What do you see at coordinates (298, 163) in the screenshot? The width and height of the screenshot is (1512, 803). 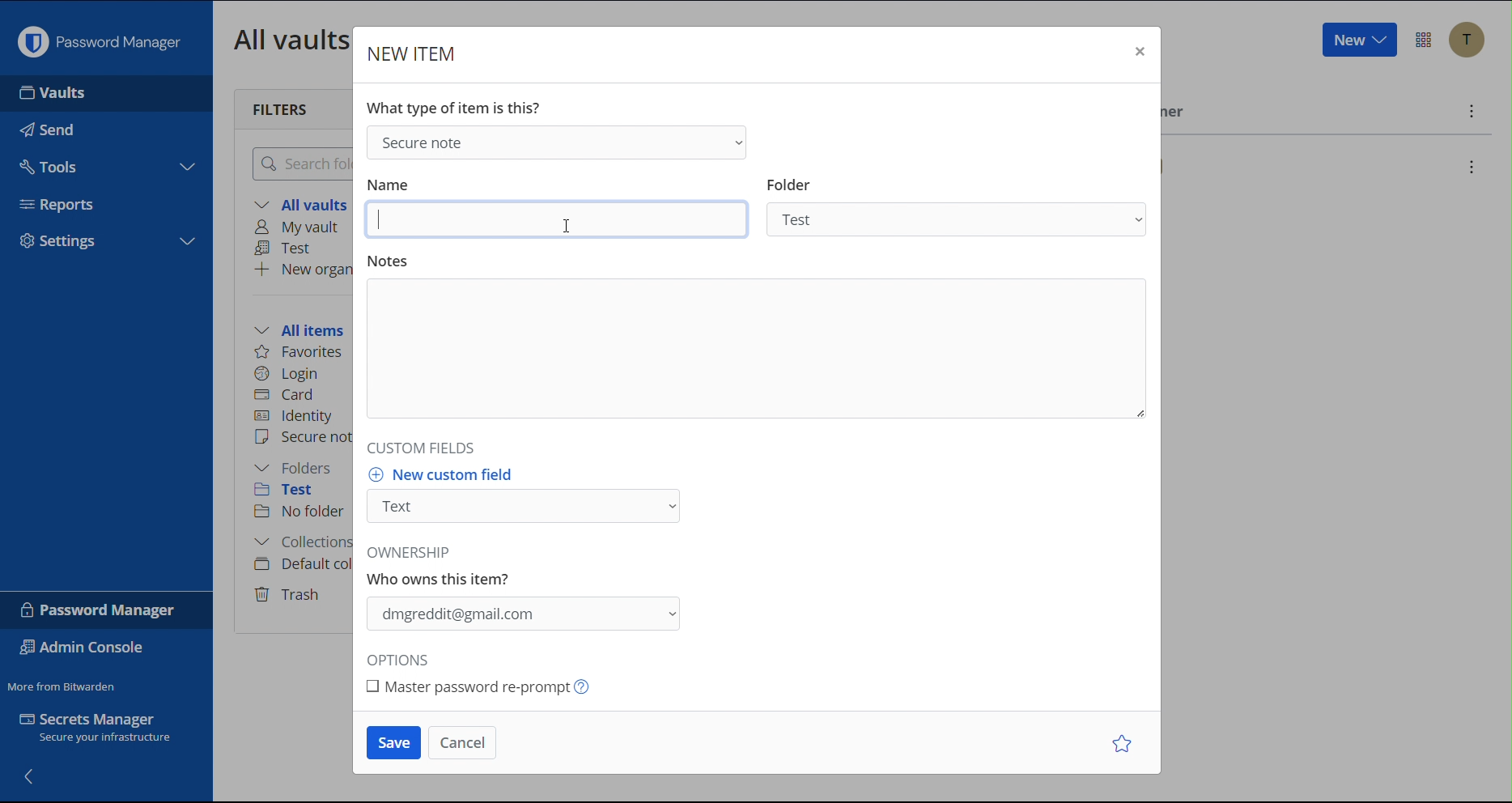 I see `Search Folder` at bounding box center [298, 163].